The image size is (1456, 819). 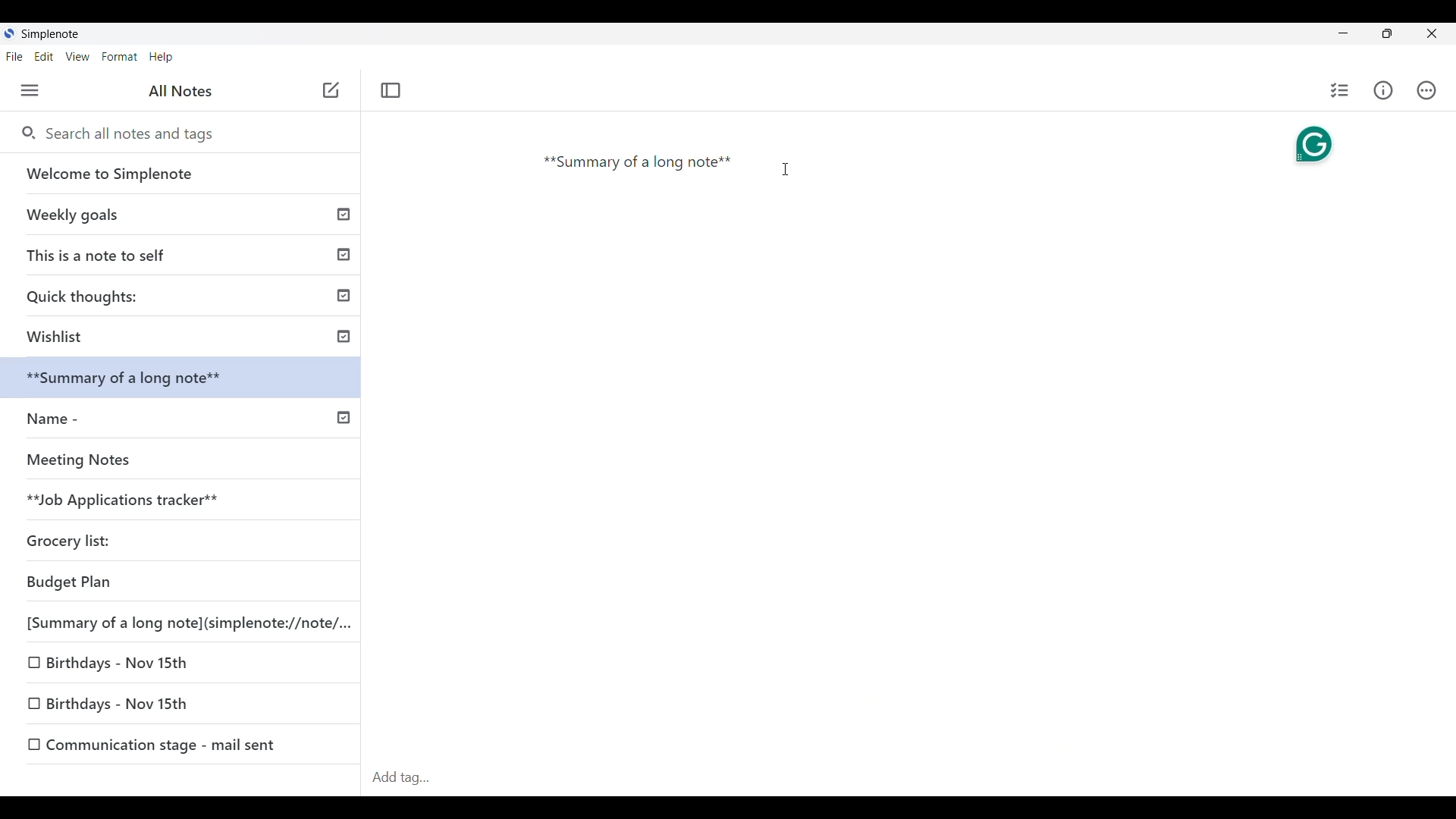 What do you see at coordinates (44, 57) in the screenshot?
I see `Edit ` at bounding box center [44, 57].